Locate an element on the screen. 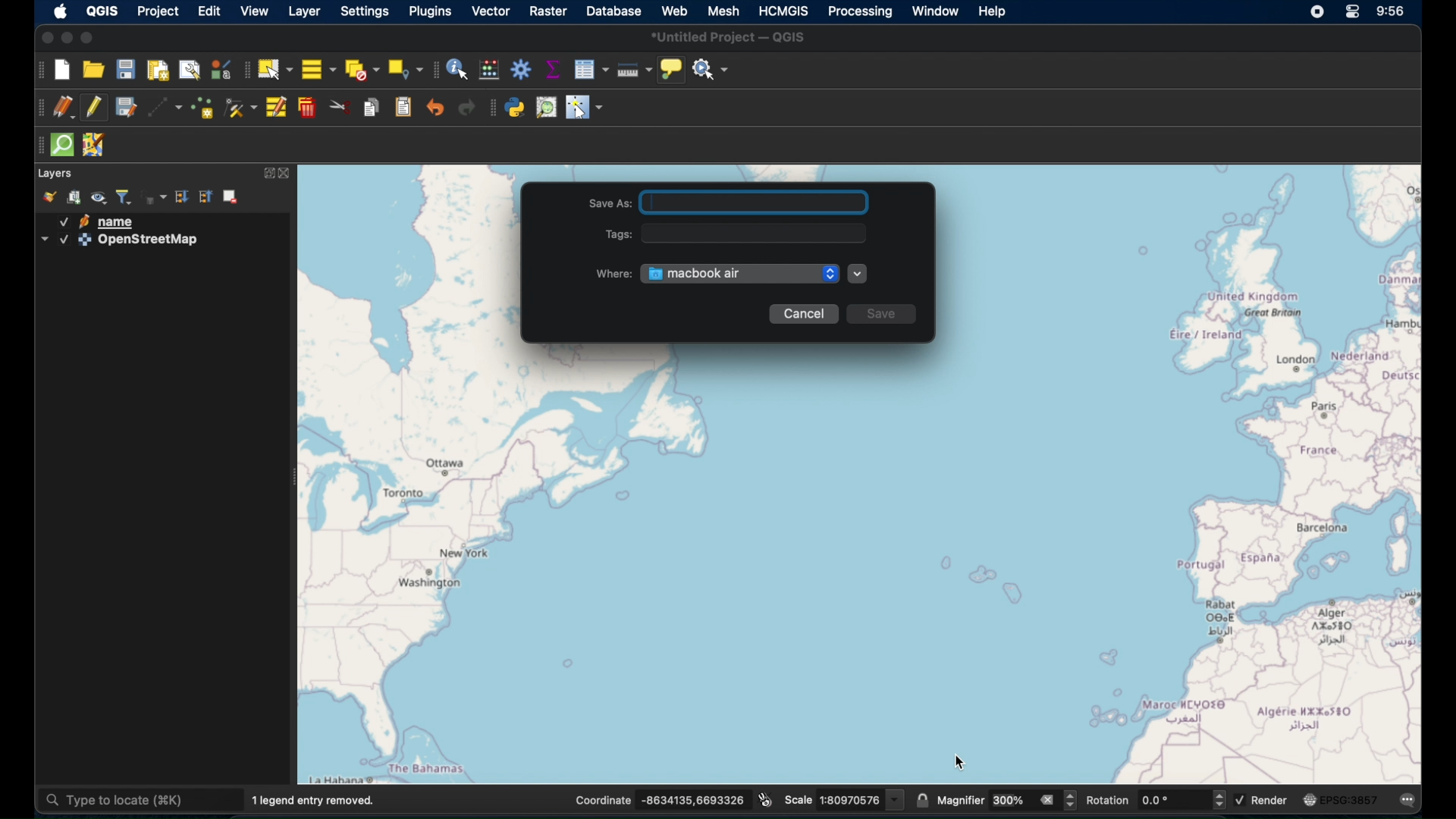  messages is located at coordinates (1410, 801).